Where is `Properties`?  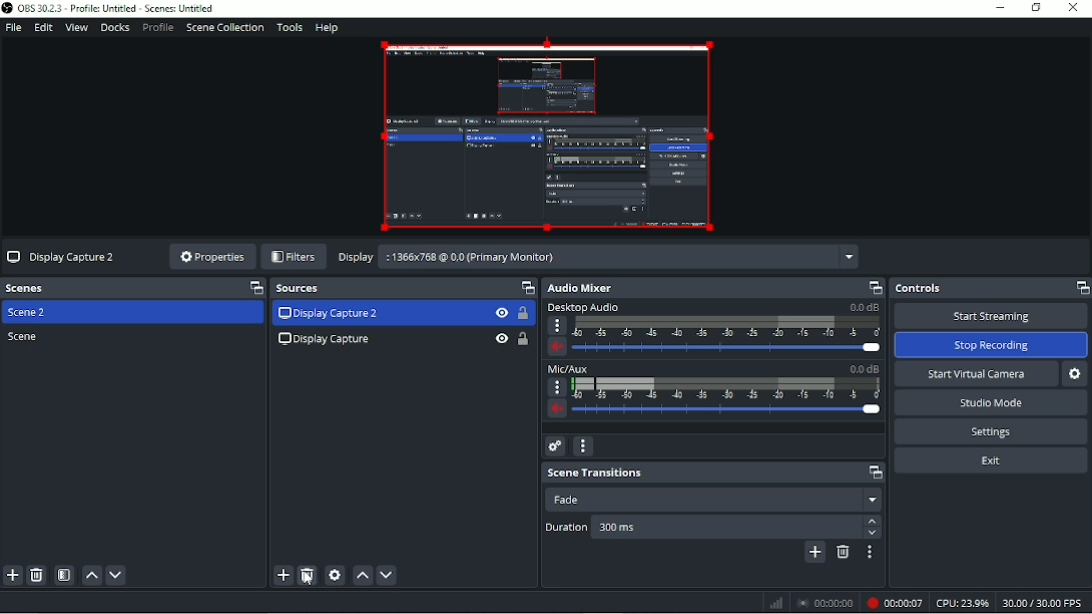 Properties is located at coordinates (207, 257).